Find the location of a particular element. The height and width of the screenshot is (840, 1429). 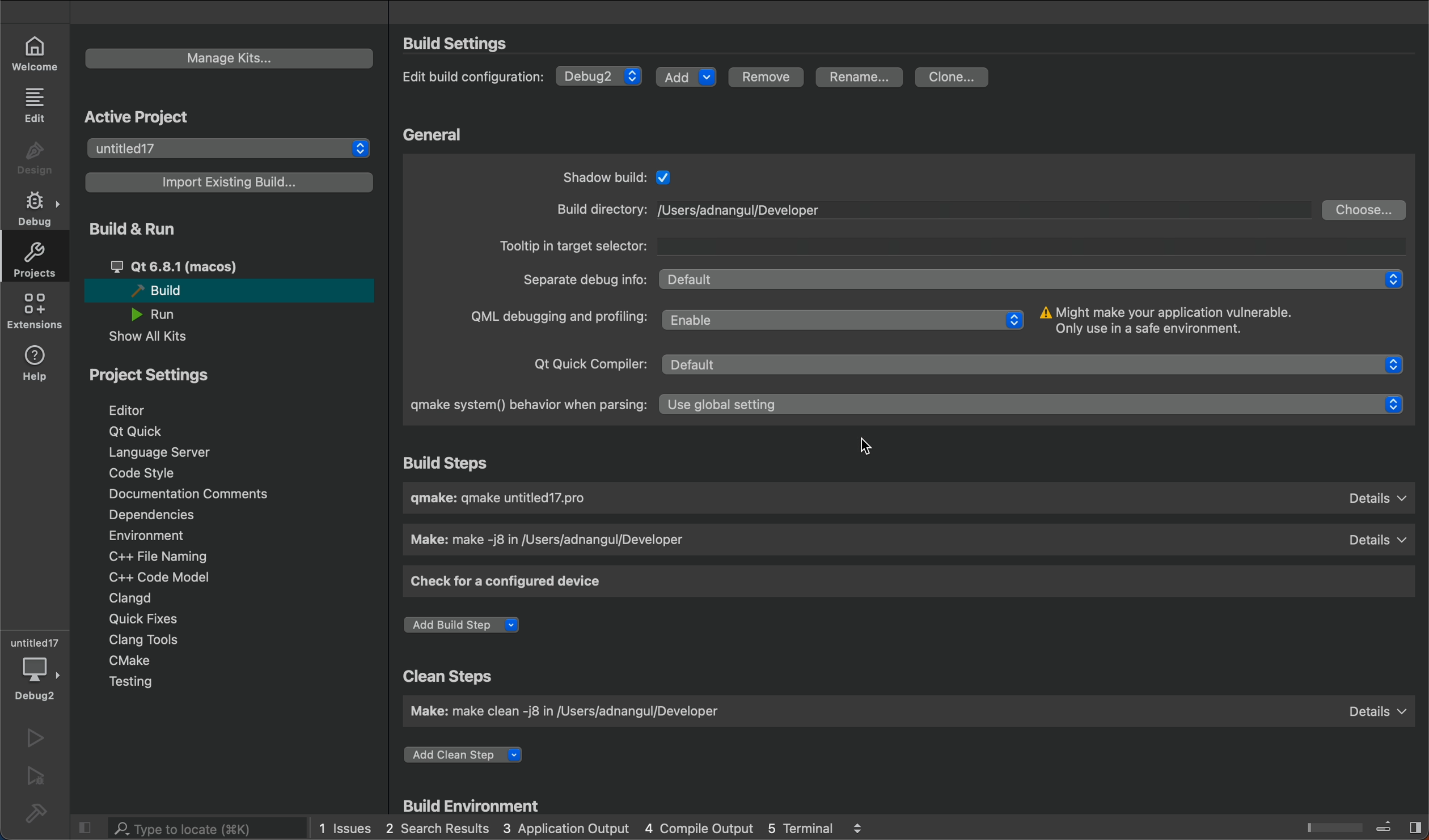

language server is located at coordinates (166, 452).